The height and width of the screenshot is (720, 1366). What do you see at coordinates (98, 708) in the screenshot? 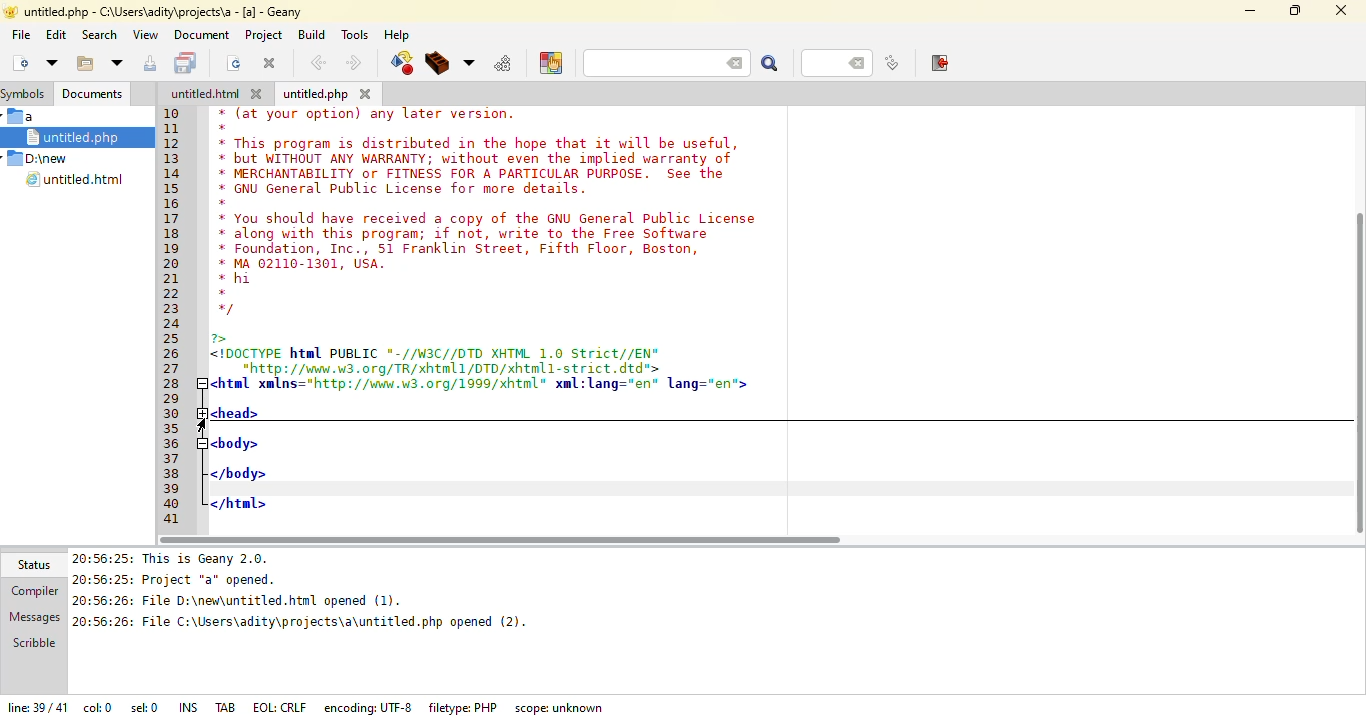
I see `col: 0` at bounding box center [98, 708].